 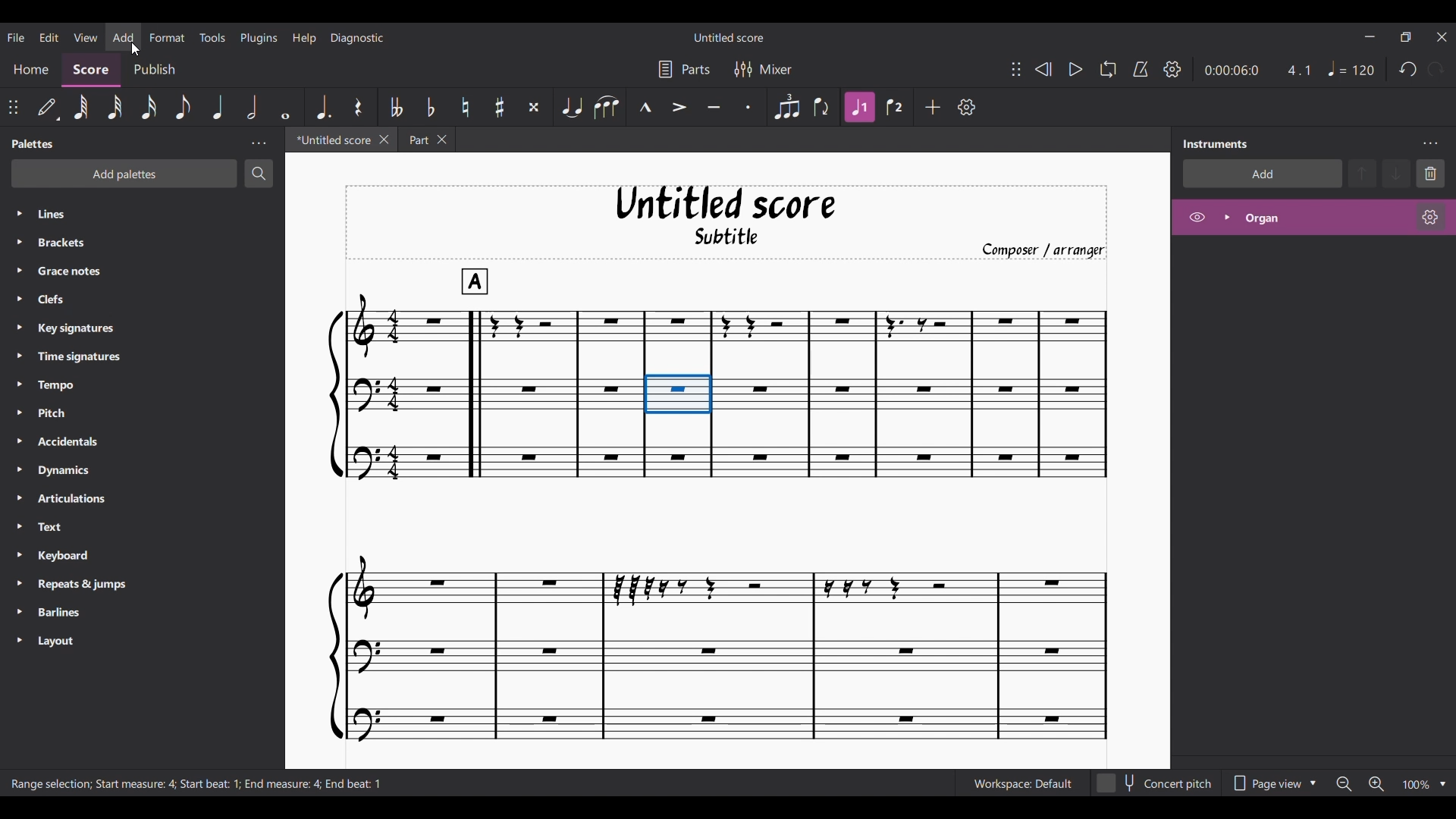 I want to click on Current zoom factor, so click(x=1417, y=785).